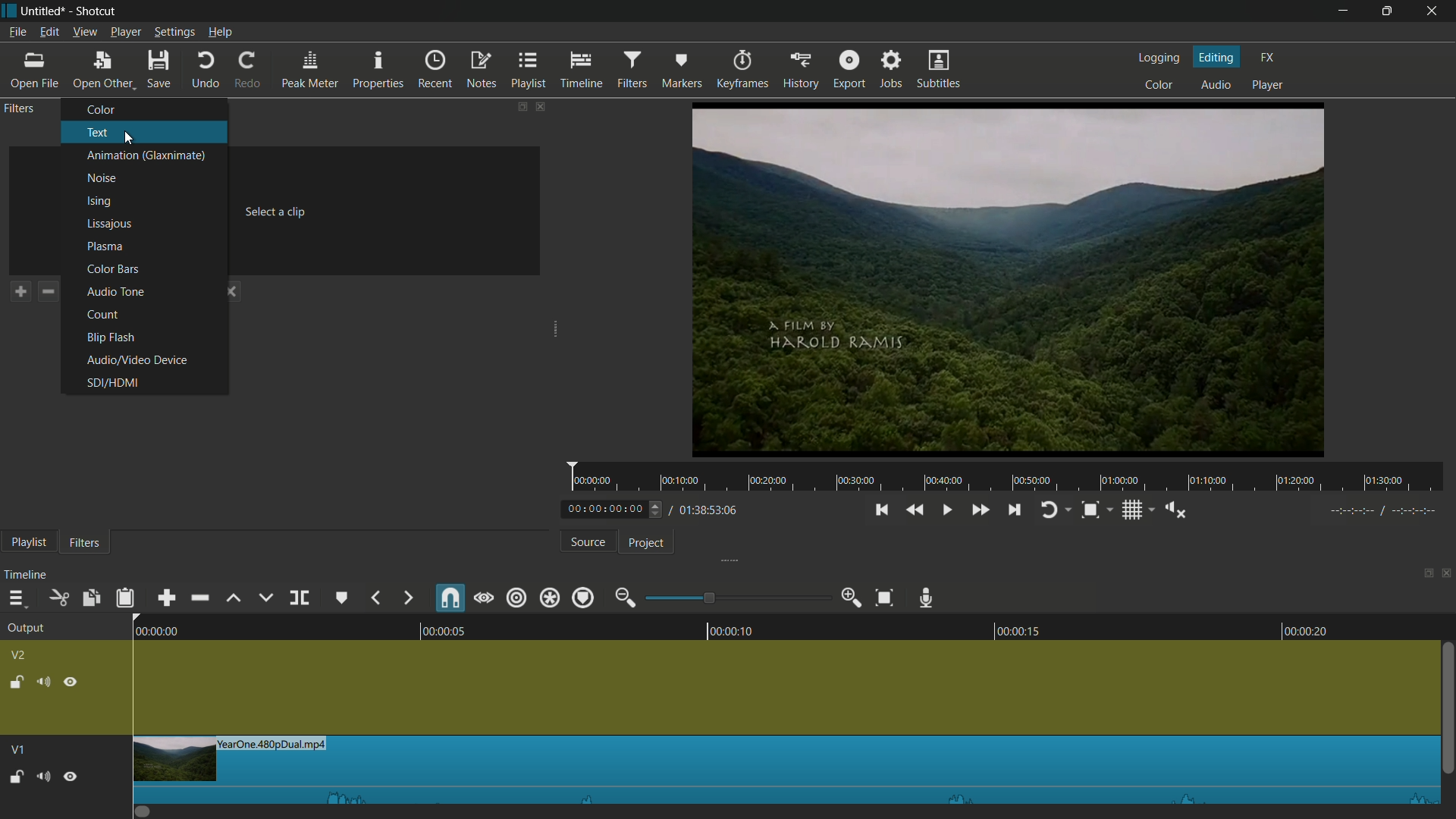  Describe the element at coordinates (380, 71) in the screenshot. I see `properties` at that location.